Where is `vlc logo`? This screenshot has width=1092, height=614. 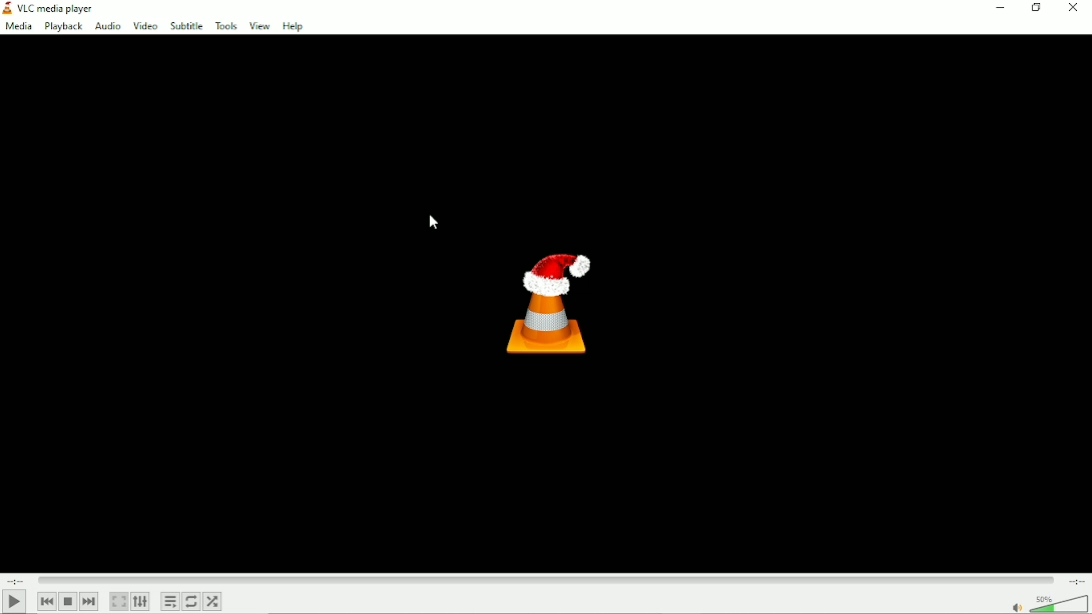
vlc logo is located at coordinates (7, 8).